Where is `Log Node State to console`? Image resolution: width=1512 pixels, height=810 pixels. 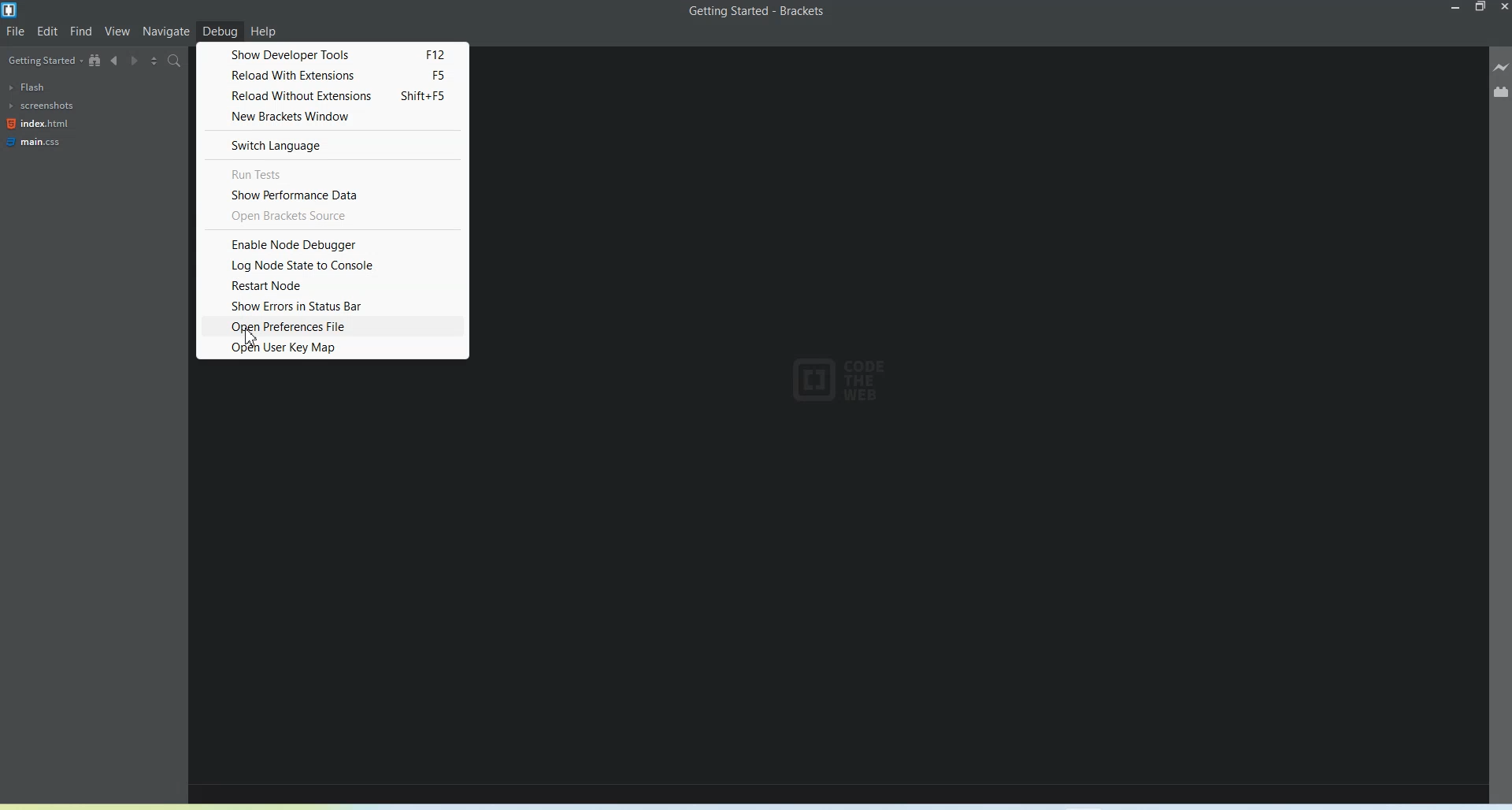 Log Node State to console is located at coordinates (333, 266).